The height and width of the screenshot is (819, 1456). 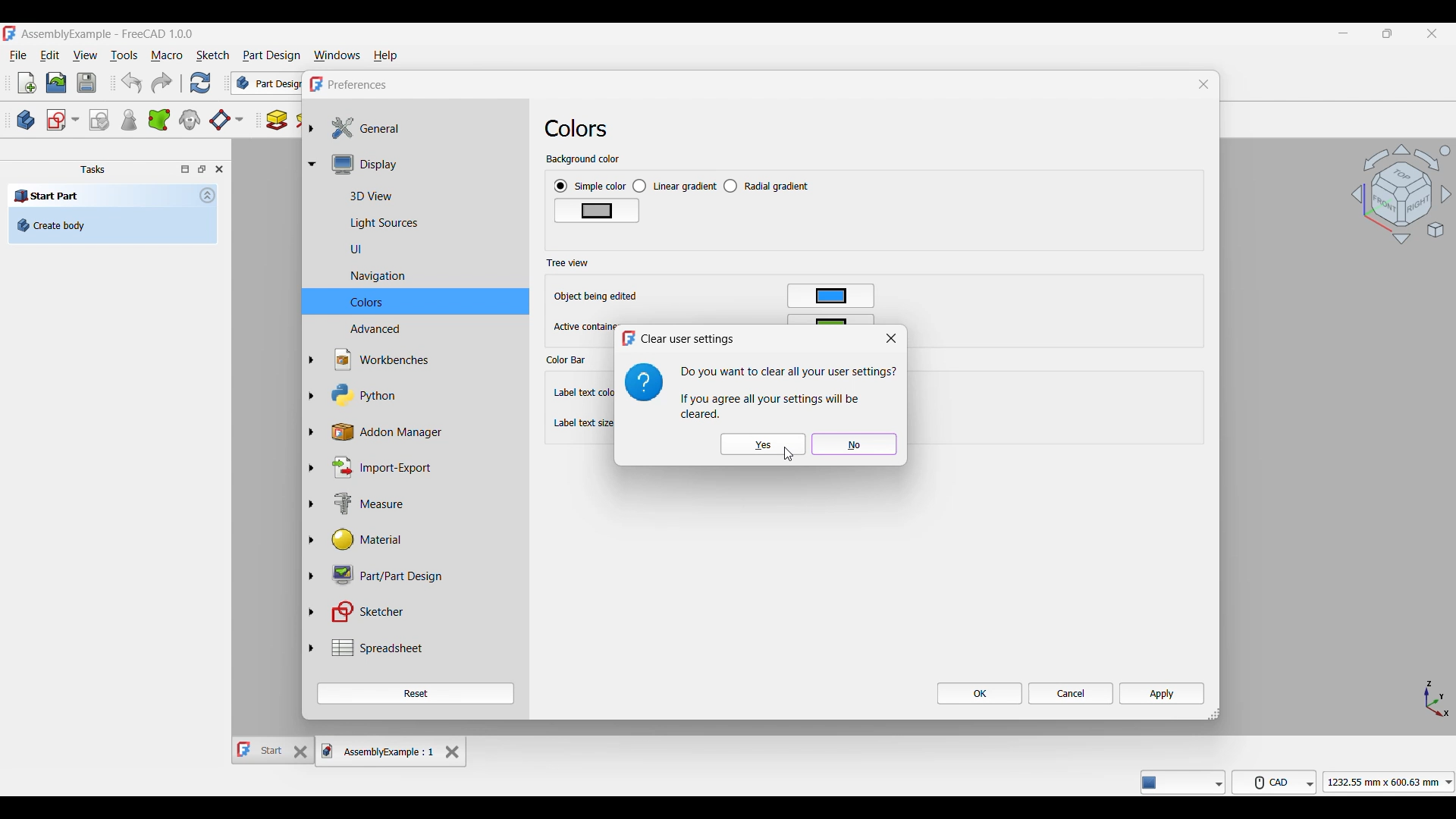 I want to click on Navigation, so click(x=359, y=276).